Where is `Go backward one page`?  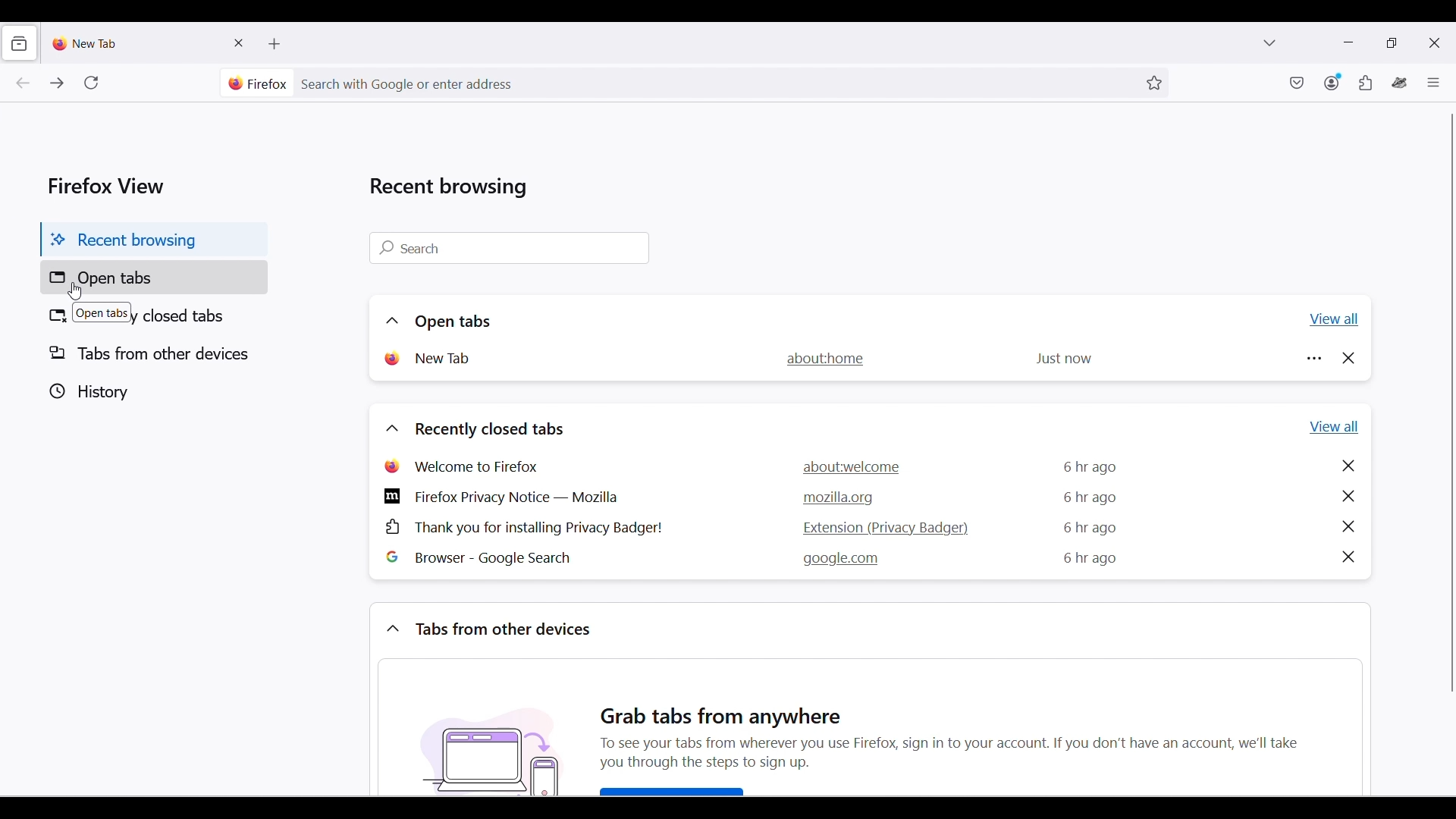 Go backward one page is located at coordinates (22, 83).